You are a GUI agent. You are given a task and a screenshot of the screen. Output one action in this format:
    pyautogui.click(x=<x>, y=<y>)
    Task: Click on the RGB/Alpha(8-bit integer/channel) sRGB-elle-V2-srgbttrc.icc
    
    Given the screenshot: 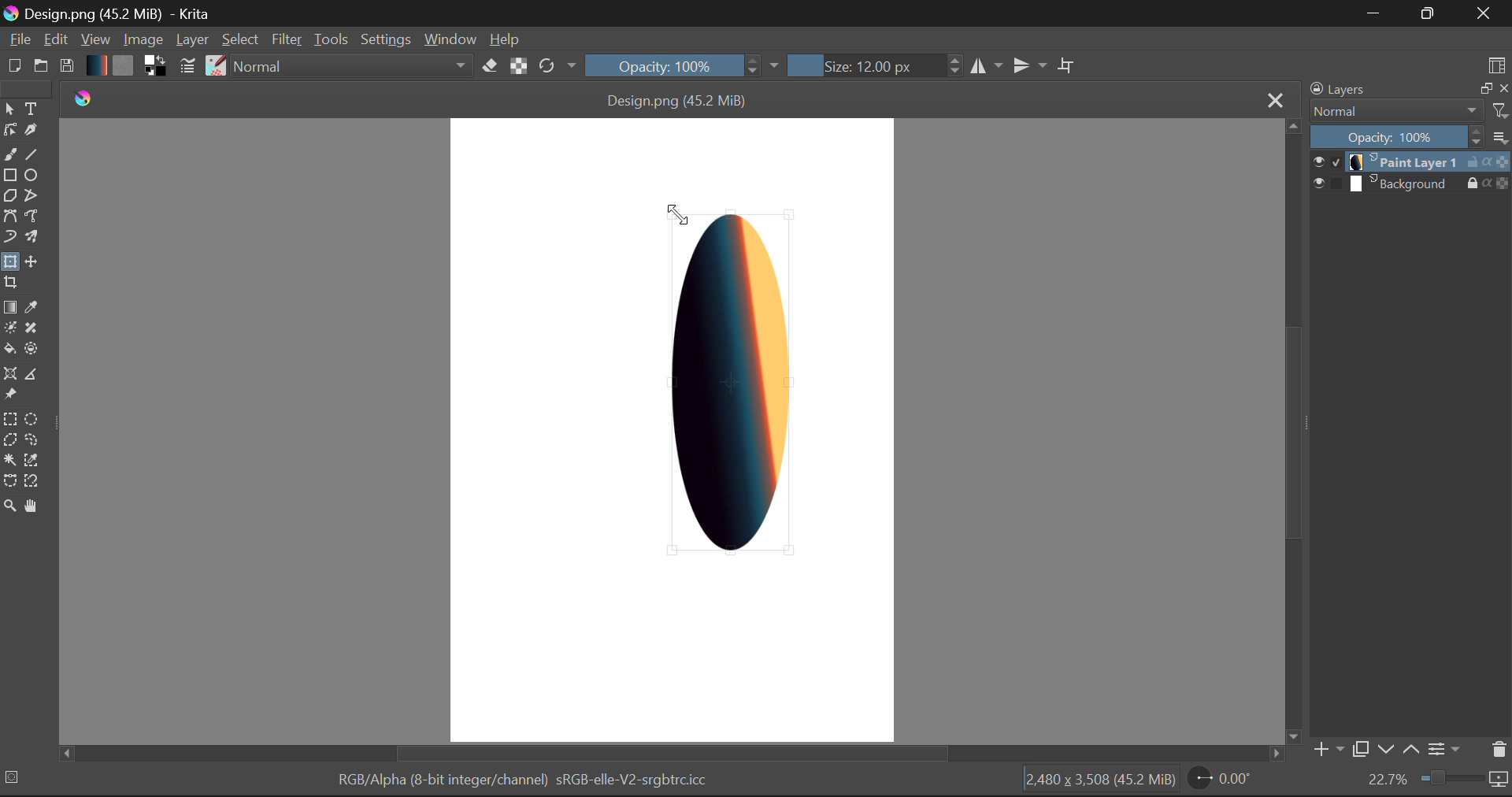 What is the action you would take?
    pyautogui.click(x=520, y=783)
    